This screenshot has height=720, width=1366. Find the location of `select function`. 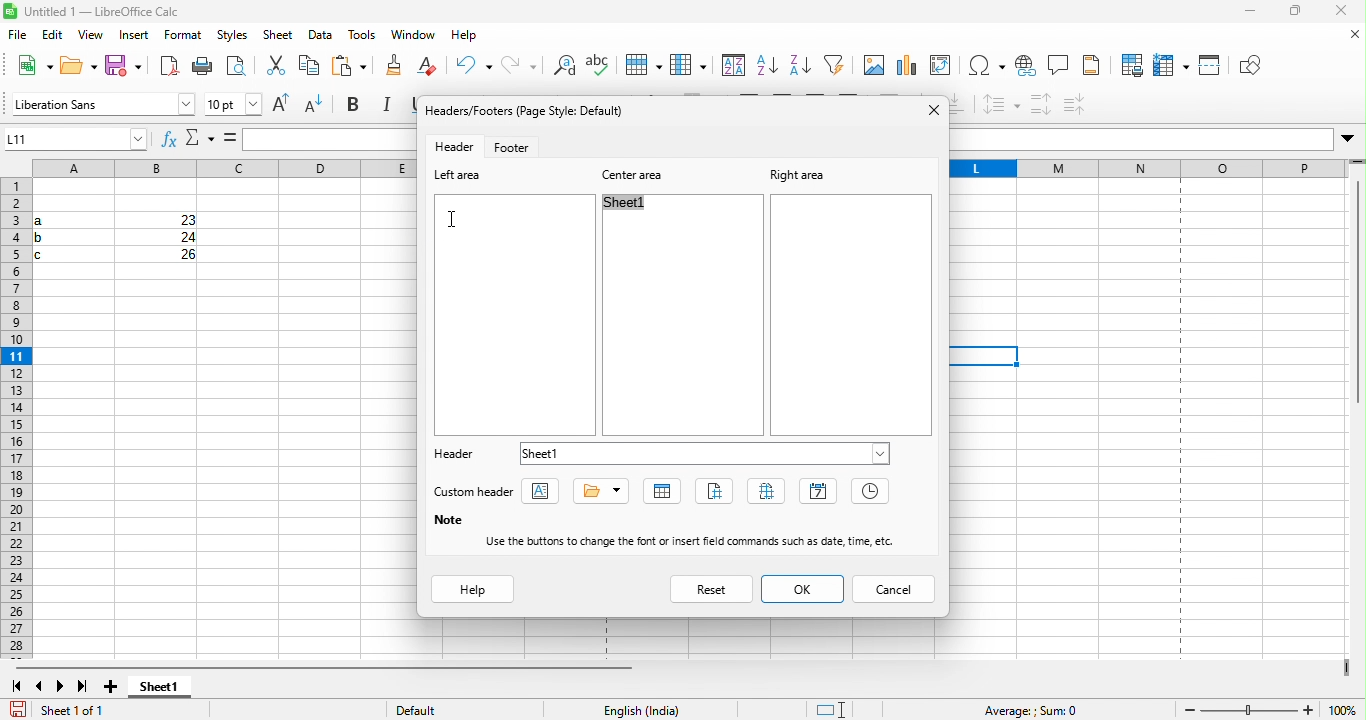

select function is located at coordinates (201, 141).